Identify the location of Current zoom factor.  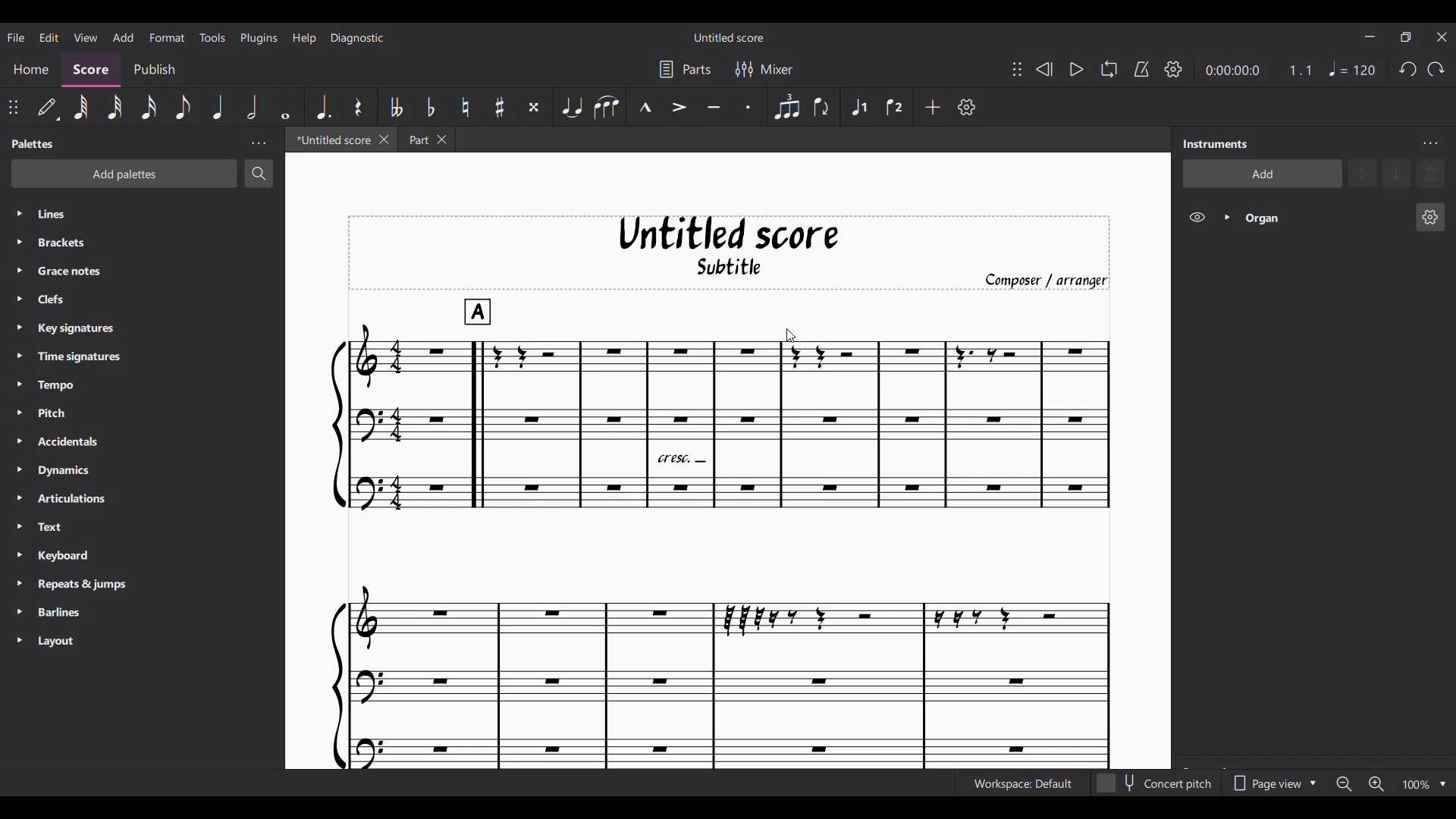
(1417, 785).